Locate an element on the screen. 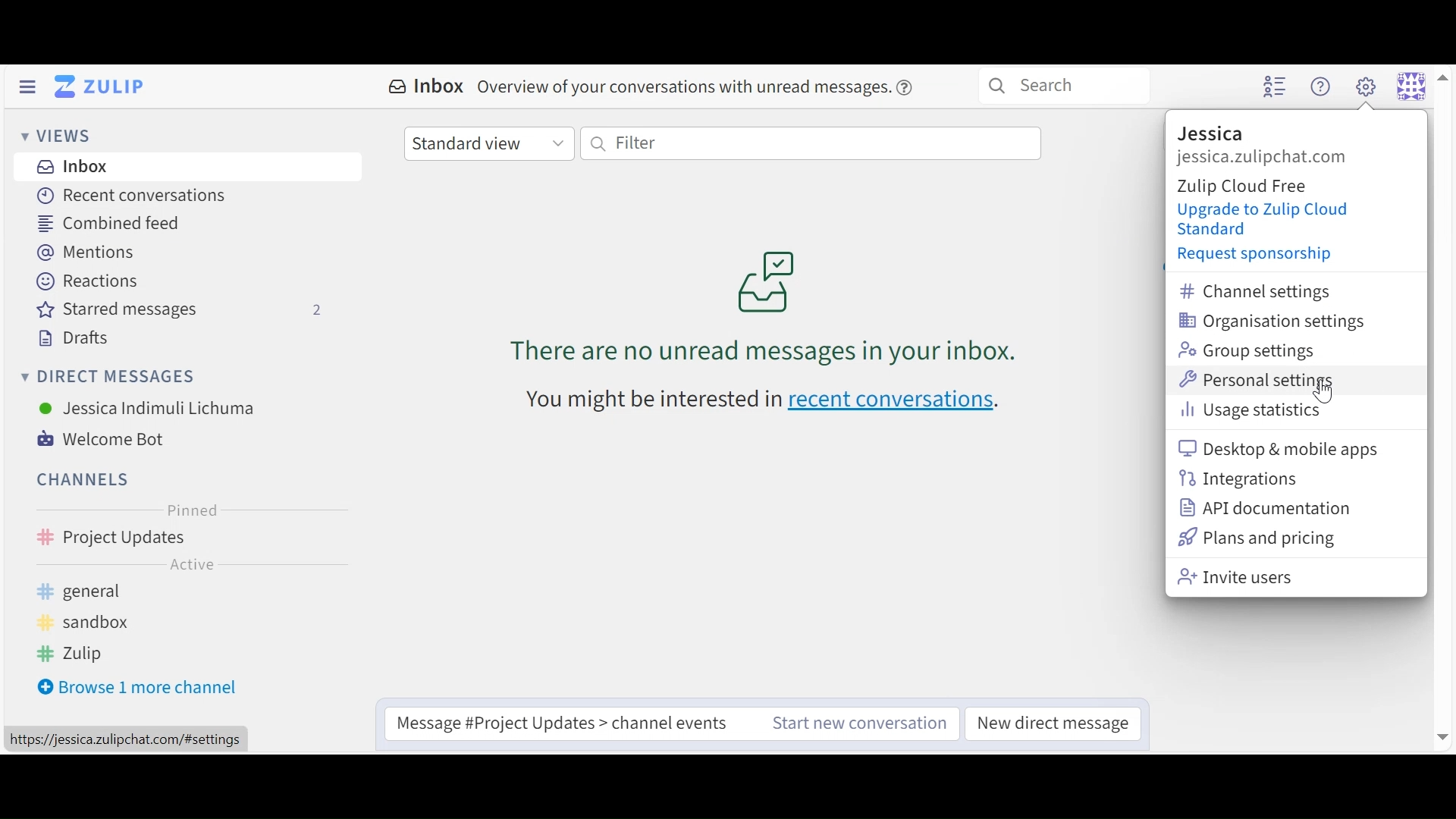 This screenshot has width=1456, height=819. Usage Statistics is located at coordinates (1255, 413).